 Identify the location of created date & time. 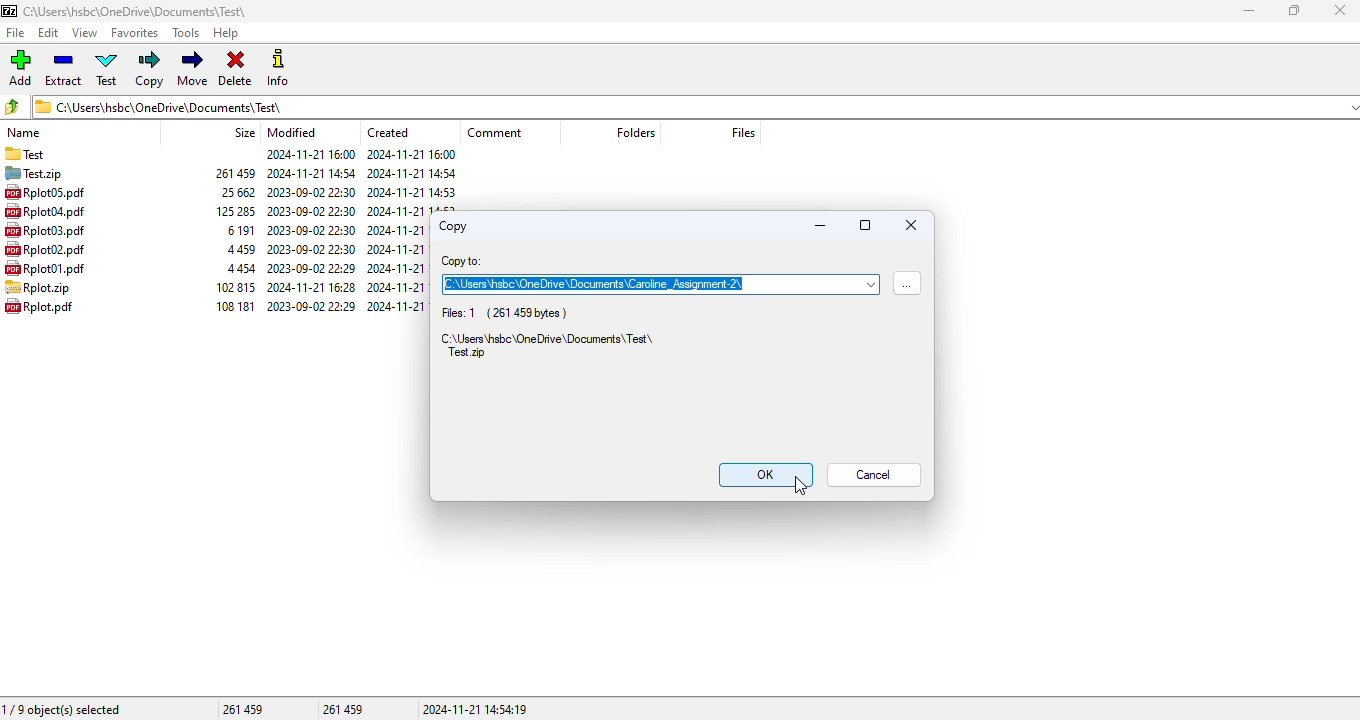
(397, 305).